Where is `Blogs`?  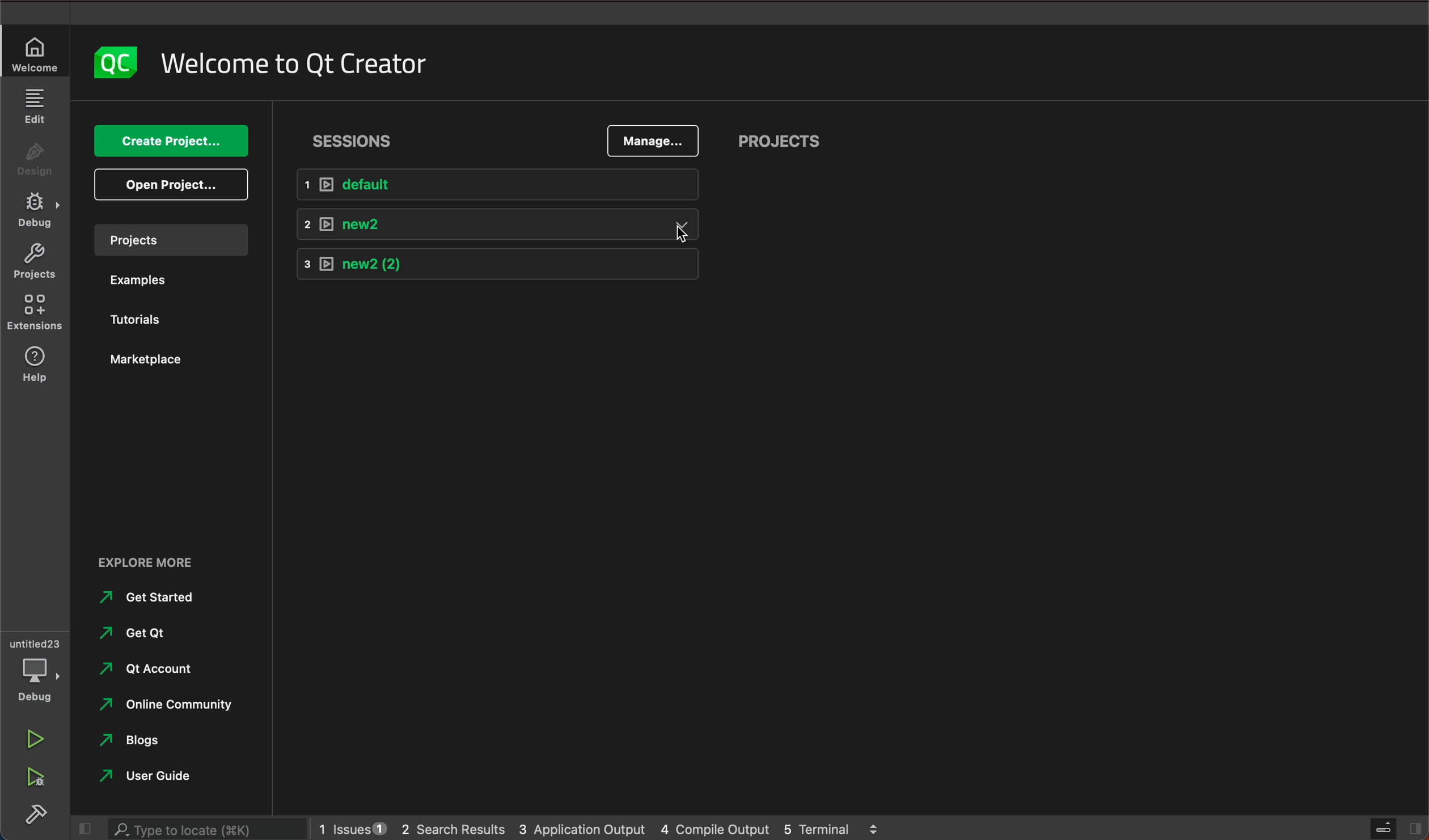
Blogs is located at coordinates (136, 743).